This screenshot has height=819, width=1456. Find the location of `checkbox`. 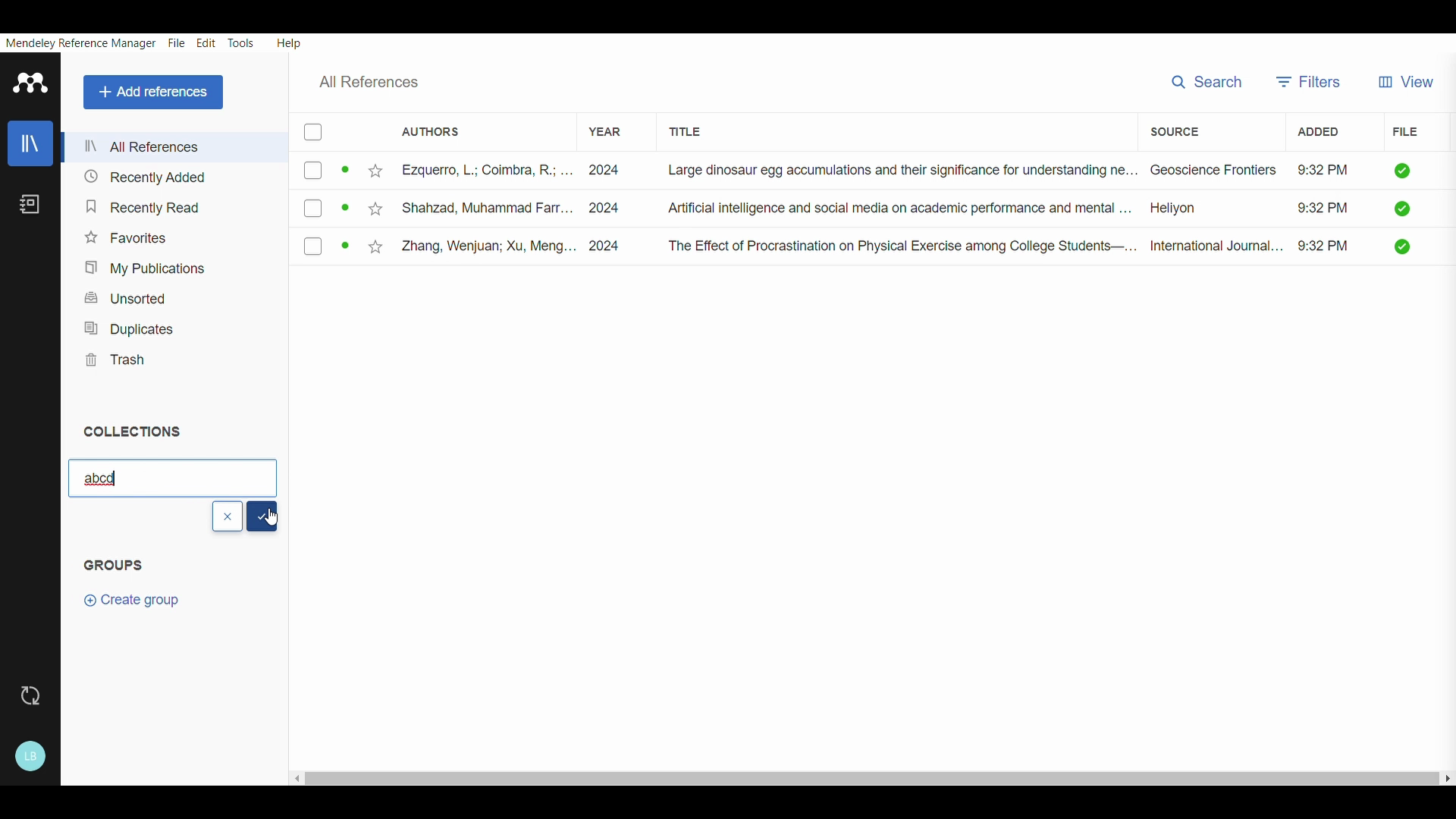

checkbox is located at coordinates (328, 246).